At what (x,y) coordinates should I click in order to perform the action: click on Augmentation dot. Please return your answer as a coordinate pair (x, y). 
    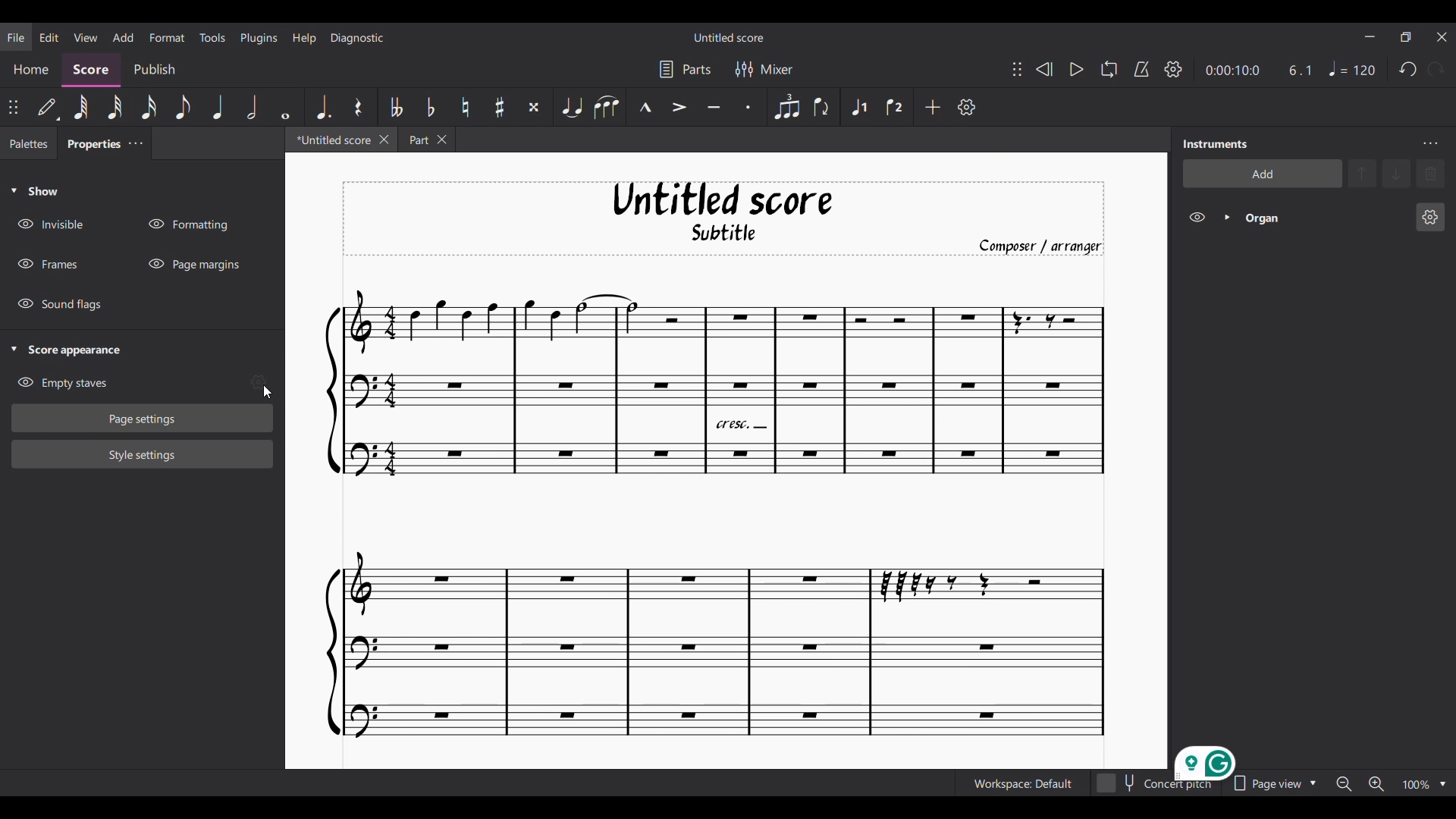
    Looking at the image, I should click on (322, 107).